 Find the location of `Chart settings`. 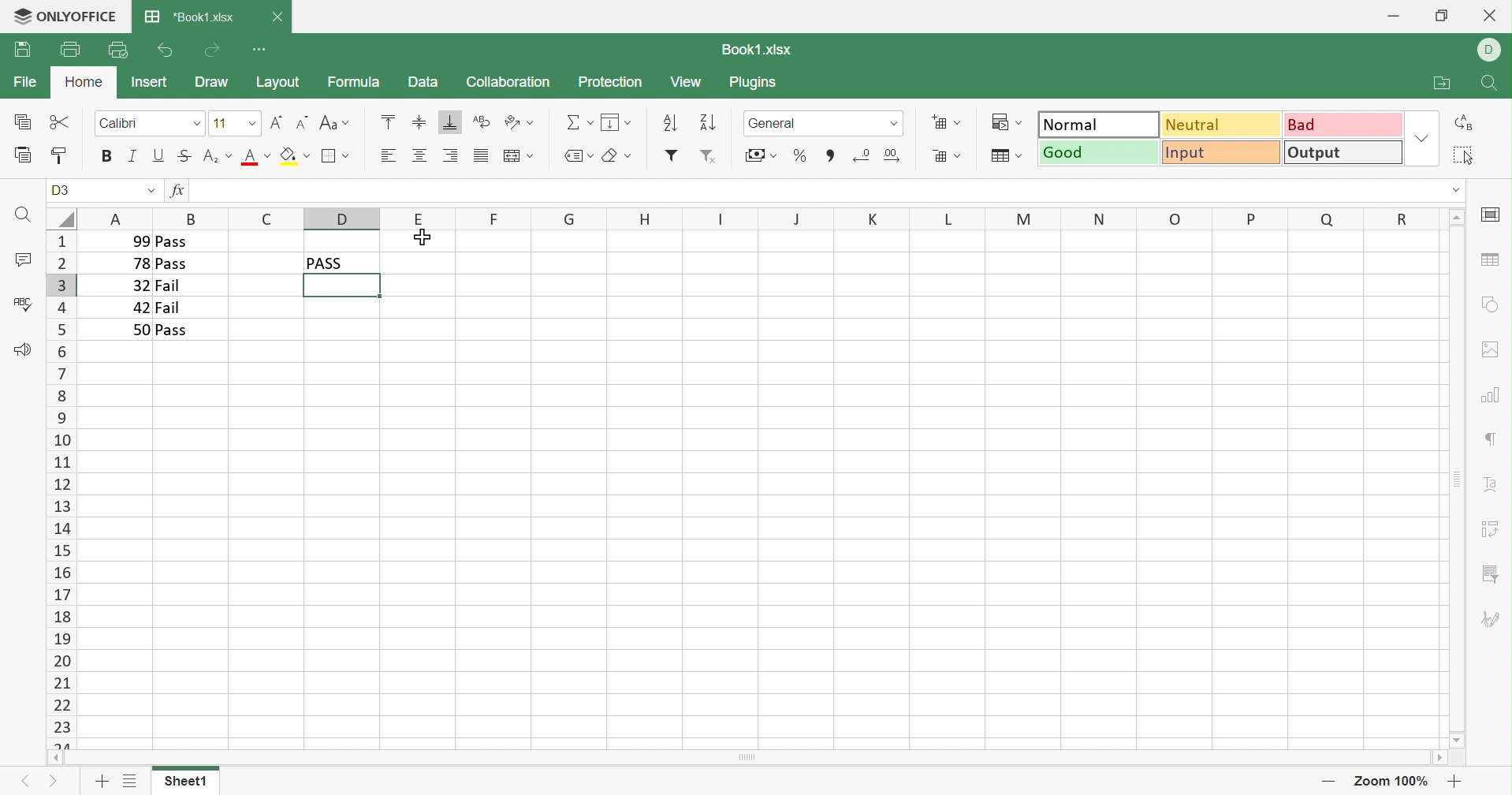

Chart settings is located at coordinates (1488, 393).